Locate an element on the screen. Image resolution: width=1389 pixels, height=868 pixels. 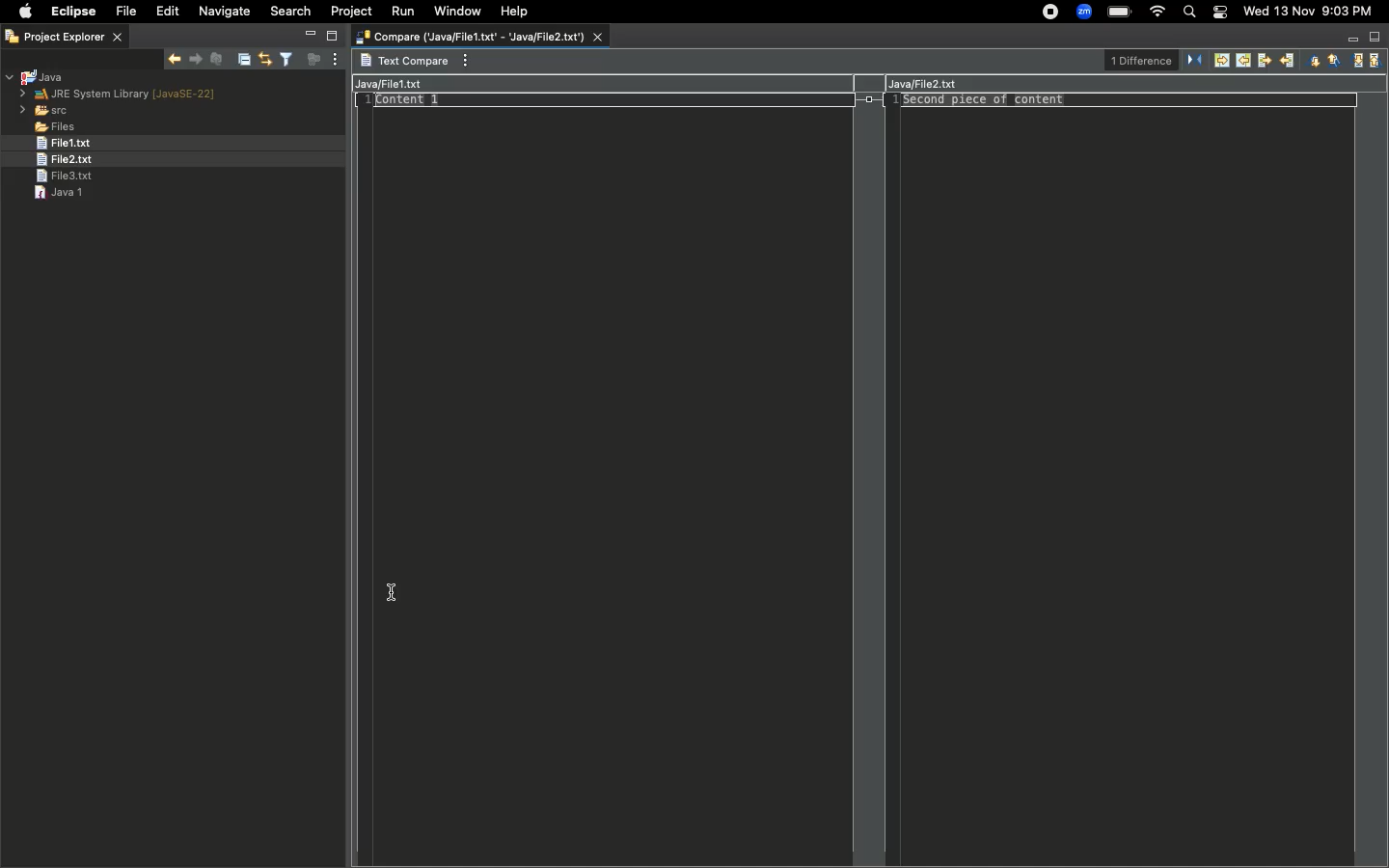
src is located at coordinates (44, 110).